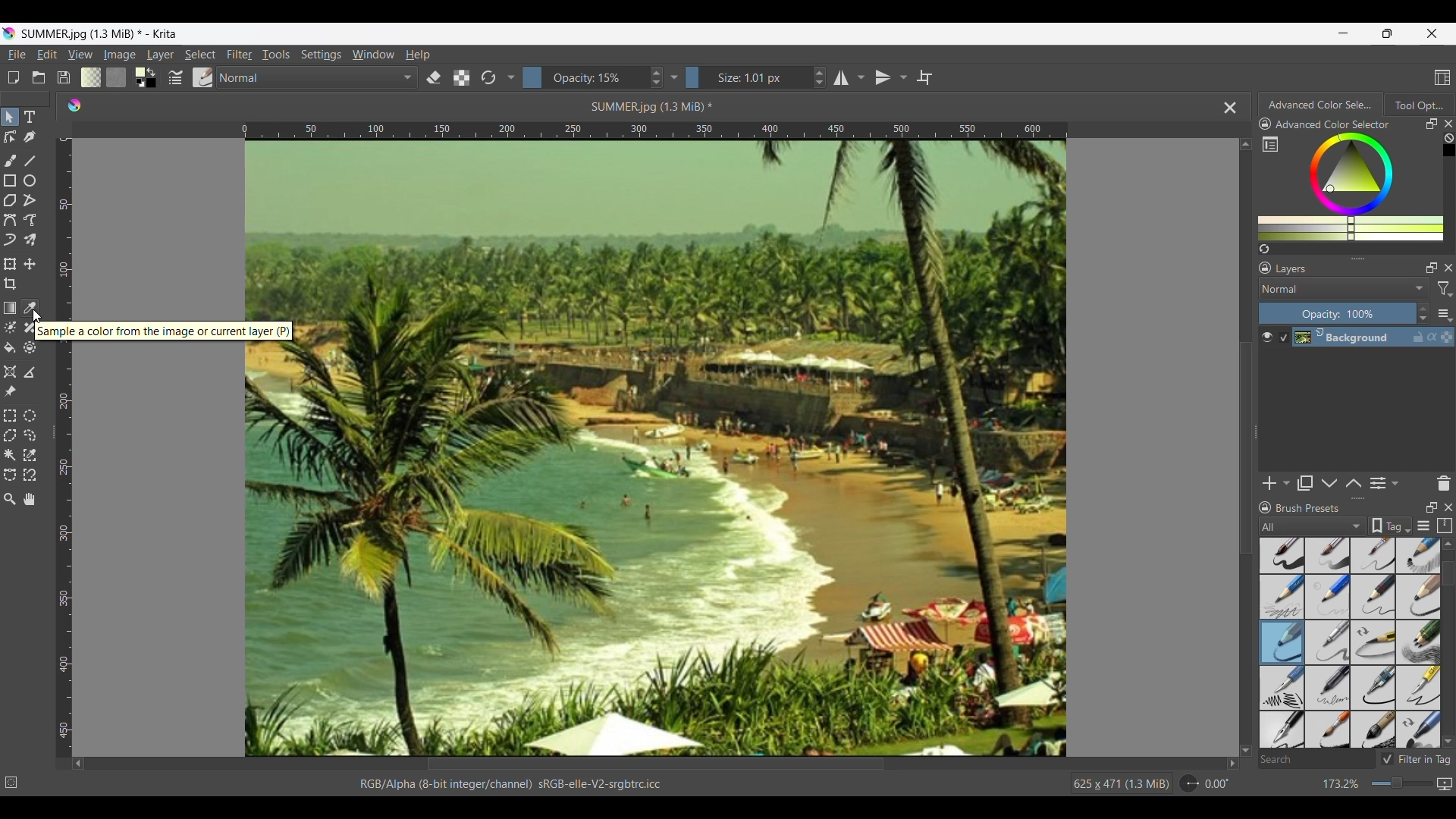  I want to click on Move layer or mask down, so click(1329, 484).